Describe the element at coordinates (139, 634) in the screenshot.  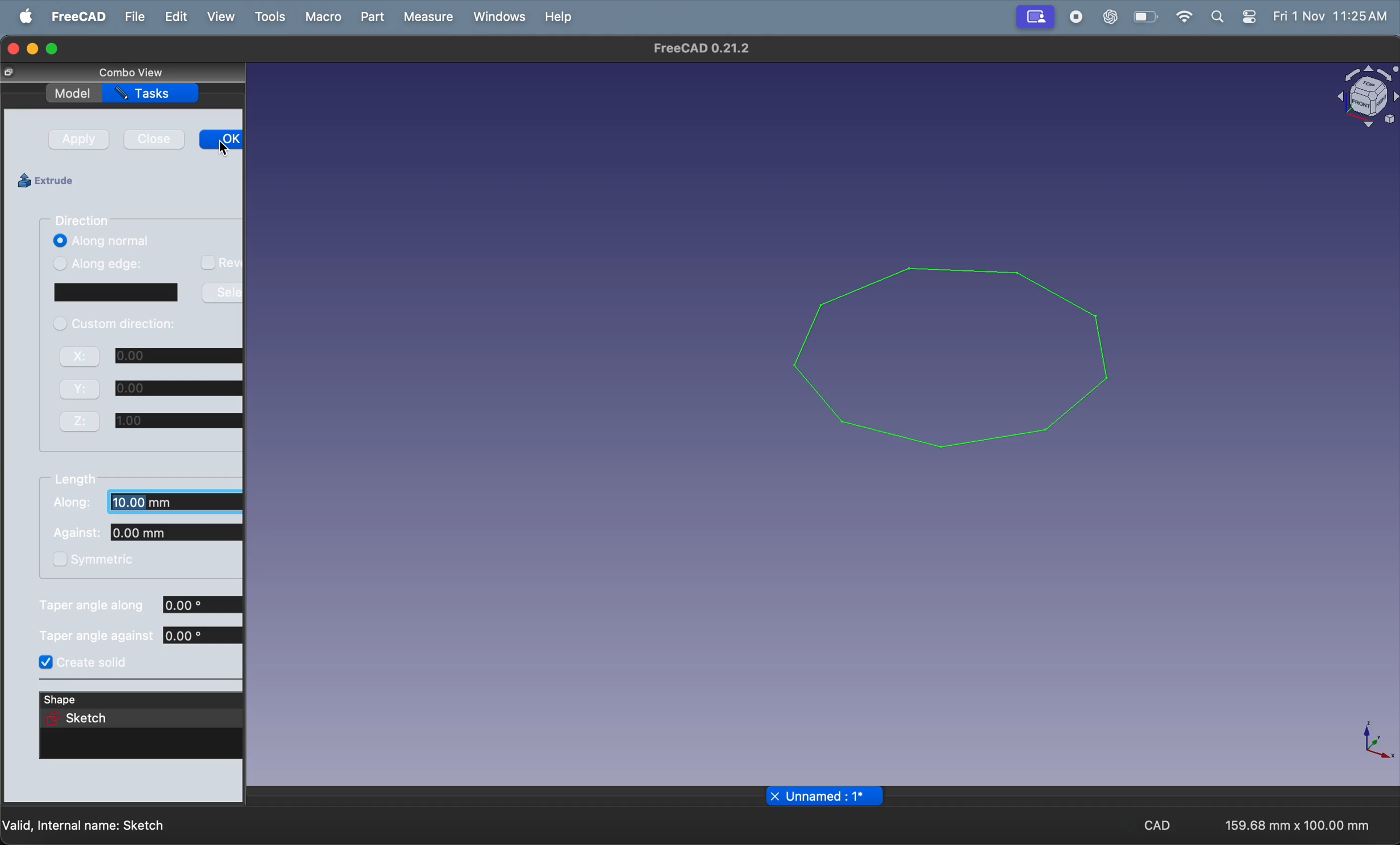
I see `tapper angle against 0.00` at that location.